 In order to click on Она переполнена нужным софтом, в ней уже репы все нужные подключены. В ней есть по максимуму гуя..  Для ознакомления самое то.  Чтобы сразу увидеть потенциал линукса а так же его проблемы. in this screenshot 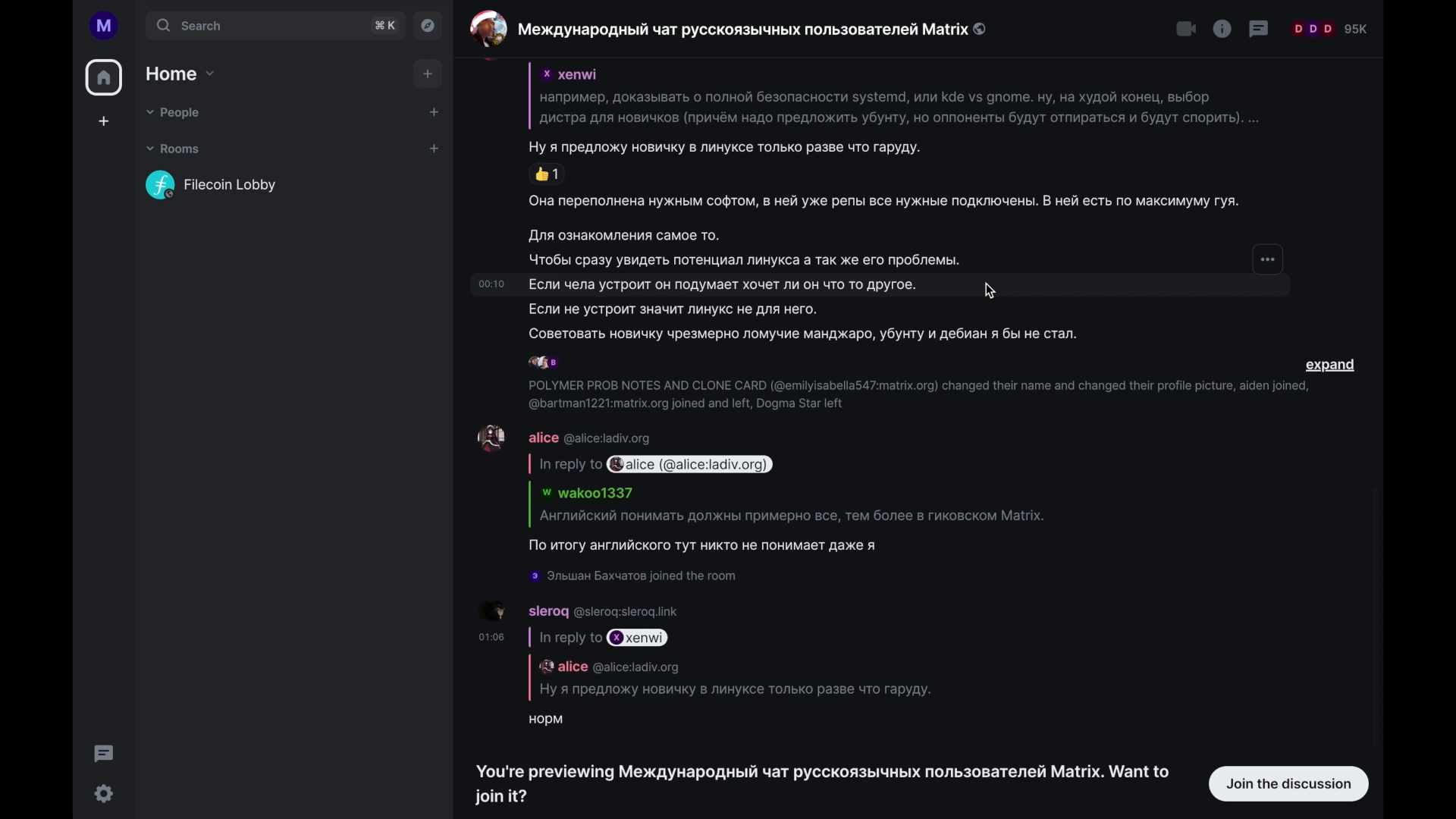, I will do `click(808, 309)`.